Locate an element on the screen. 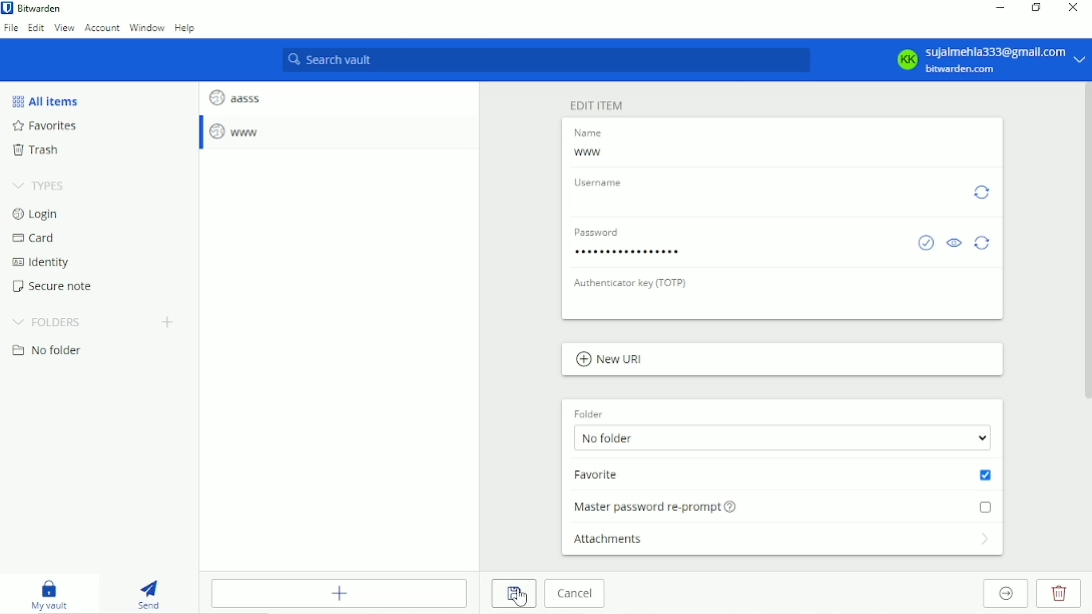 This screenshot has height=614, width=1092. No folder is located at coordinates (47, 351).